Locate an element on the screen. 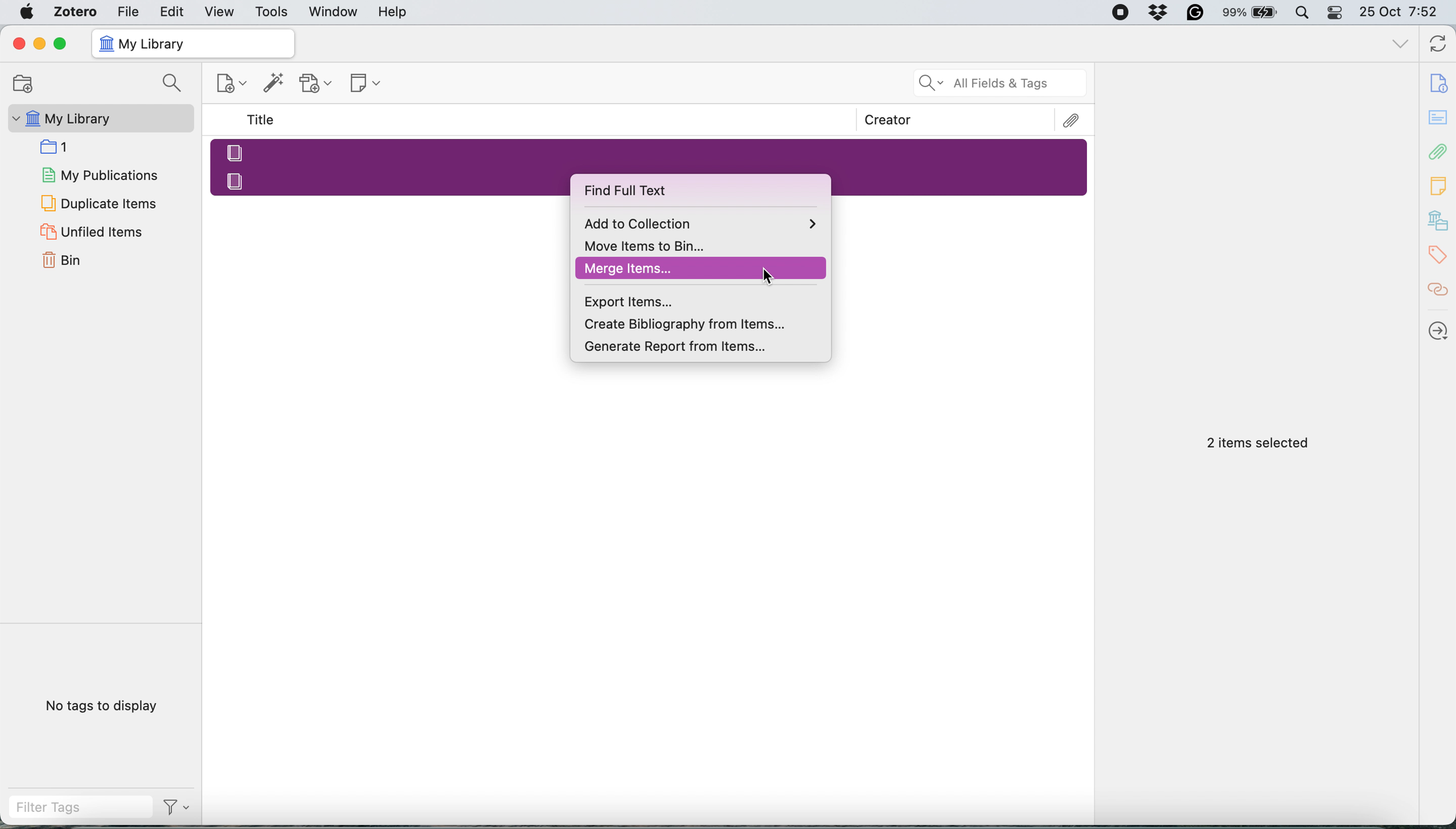  Bin is located at coordinates (76, 258).